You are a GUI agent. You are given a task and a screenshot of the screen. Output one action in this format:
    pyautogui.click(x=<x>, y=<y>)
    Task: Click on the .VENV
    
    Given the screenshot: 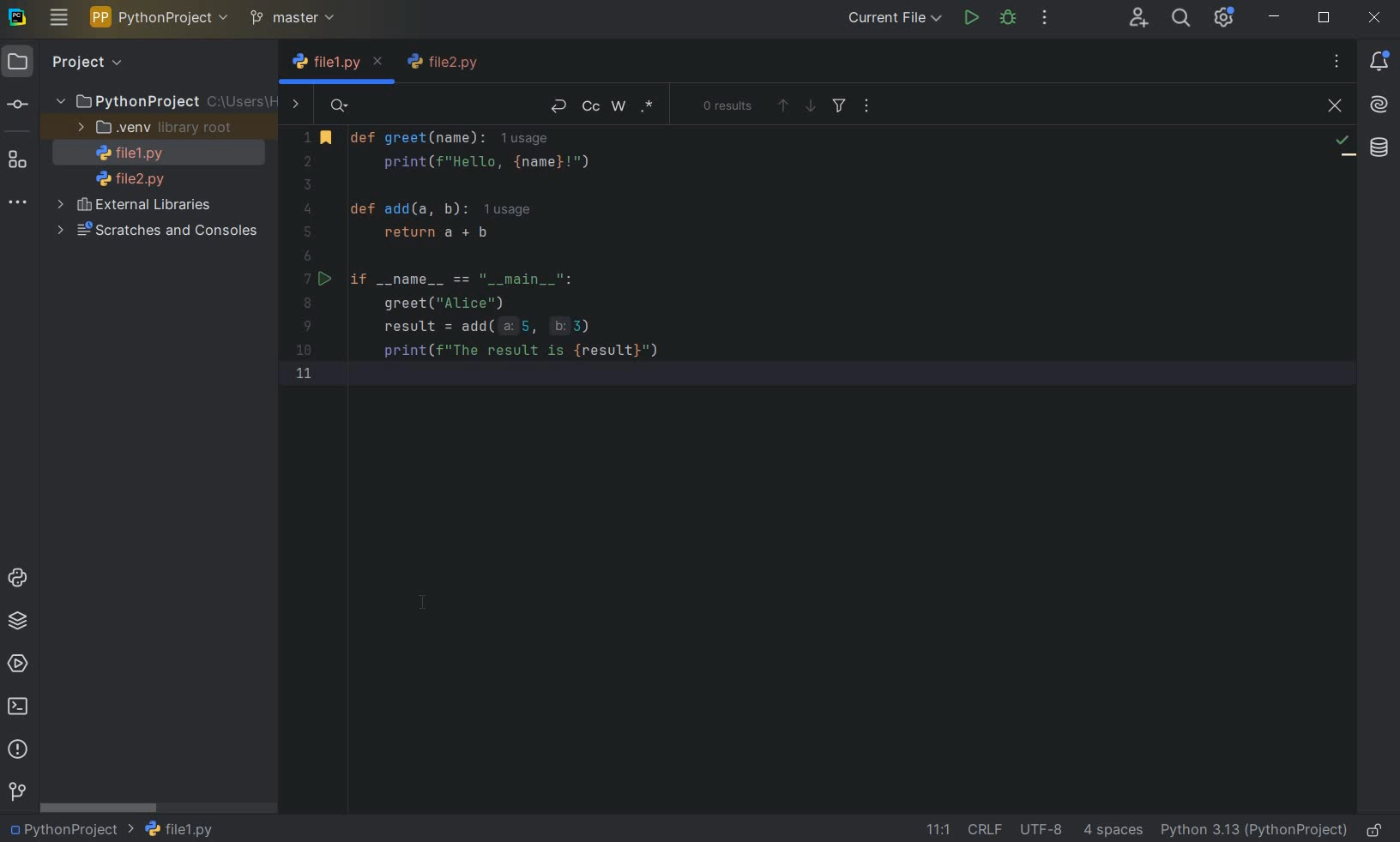 What is the action you would take?
    pyautogui.click(x=155, y=128)
    